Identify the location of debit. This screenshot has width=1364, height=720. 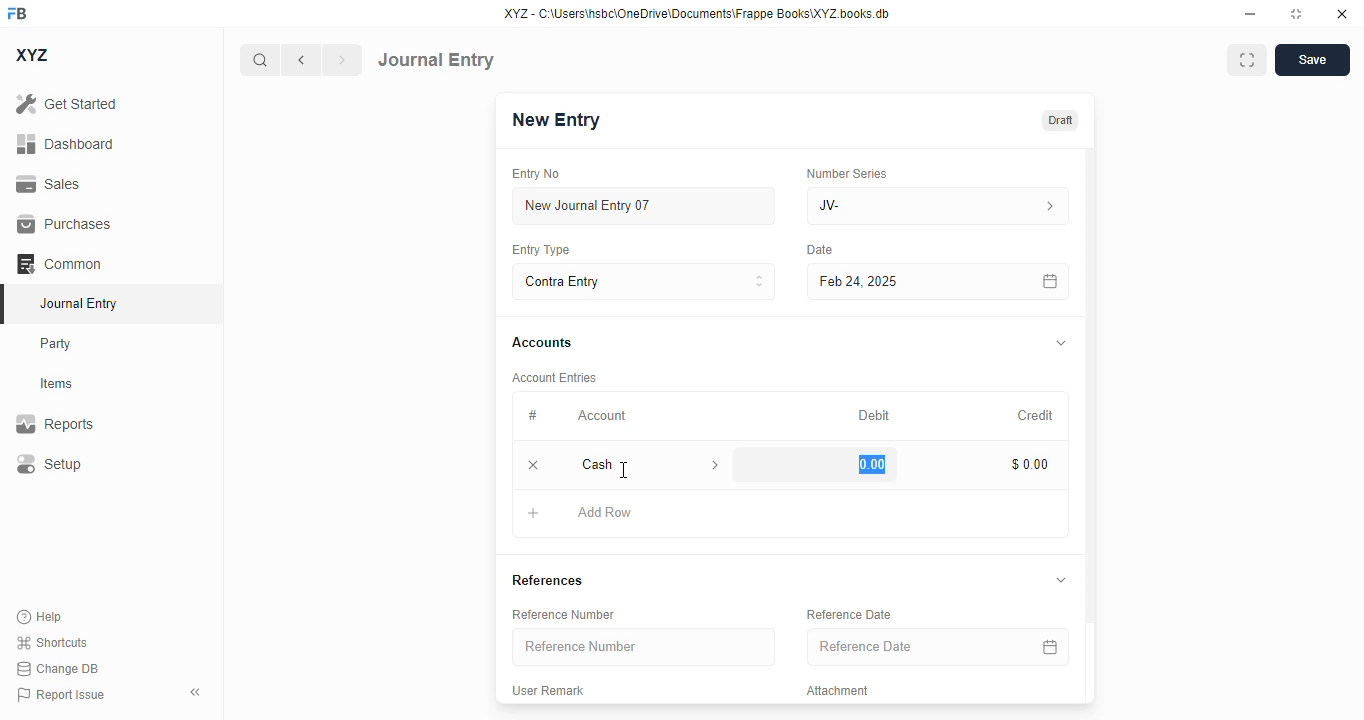
(875, 415).